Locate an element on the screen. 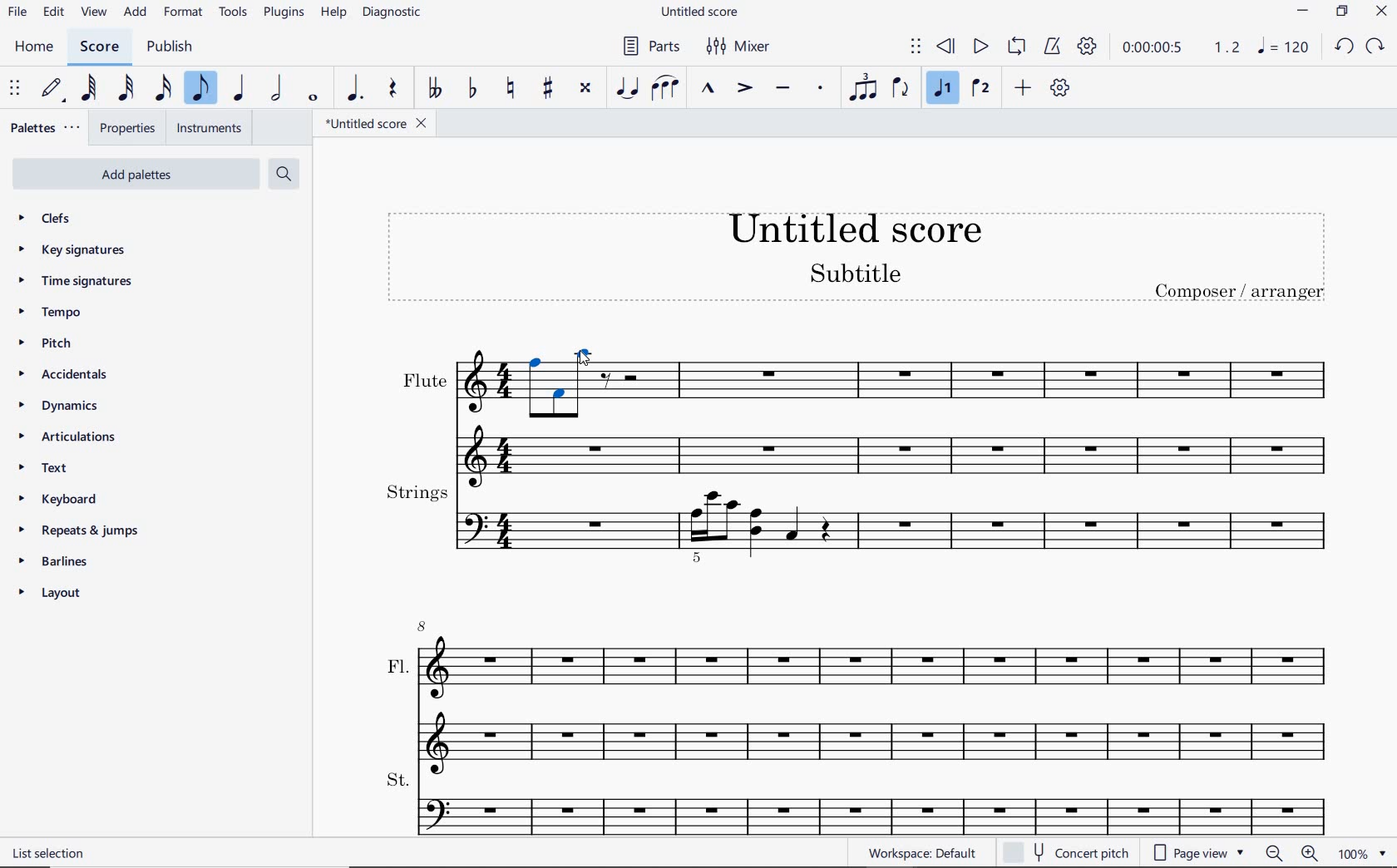 The height and width of the screenshot is (868, 1397). tempo is located at coordinates (51, 312).